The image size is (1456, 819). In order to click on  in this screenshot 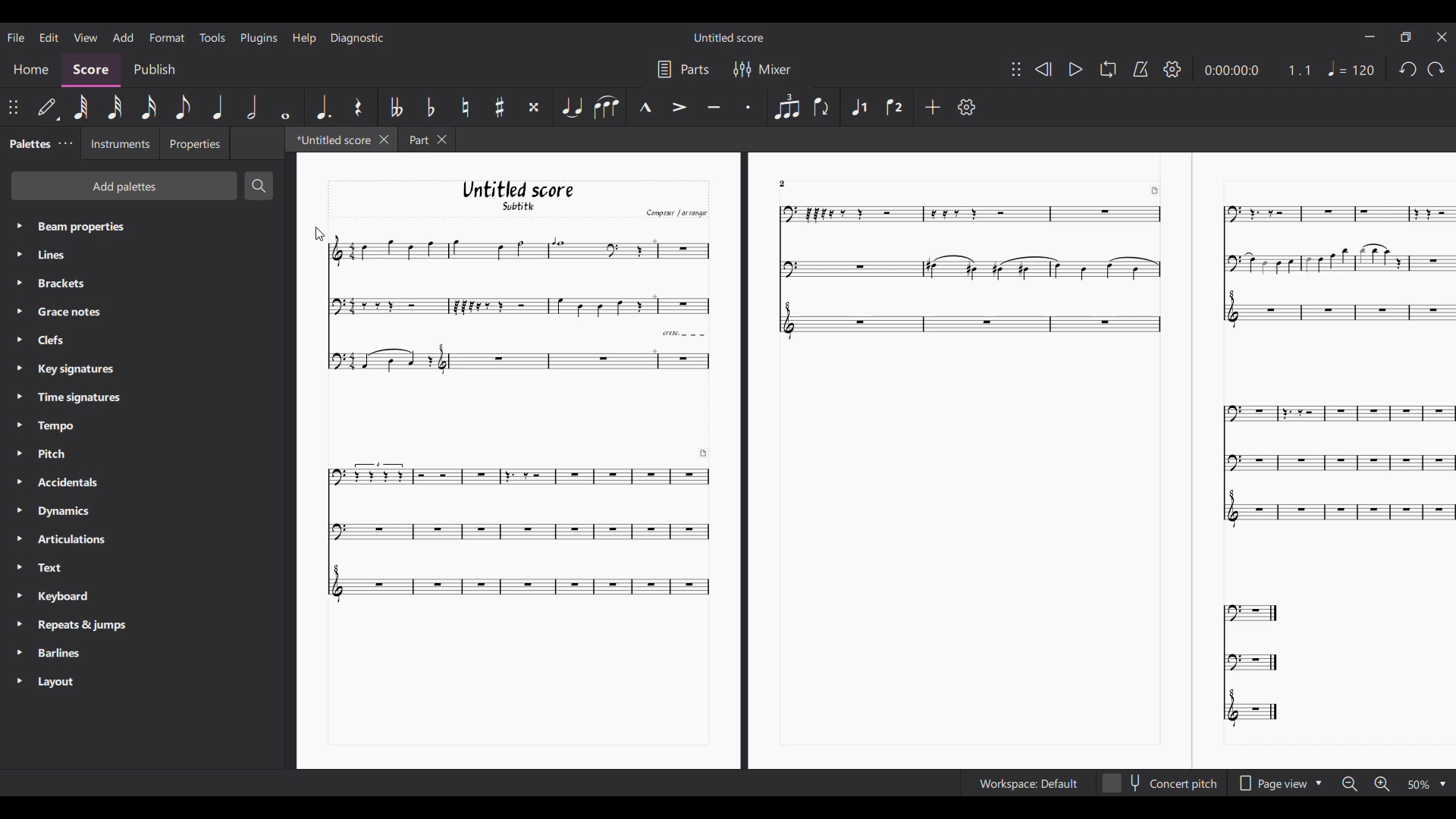, I will do `click(1338, 212)`.